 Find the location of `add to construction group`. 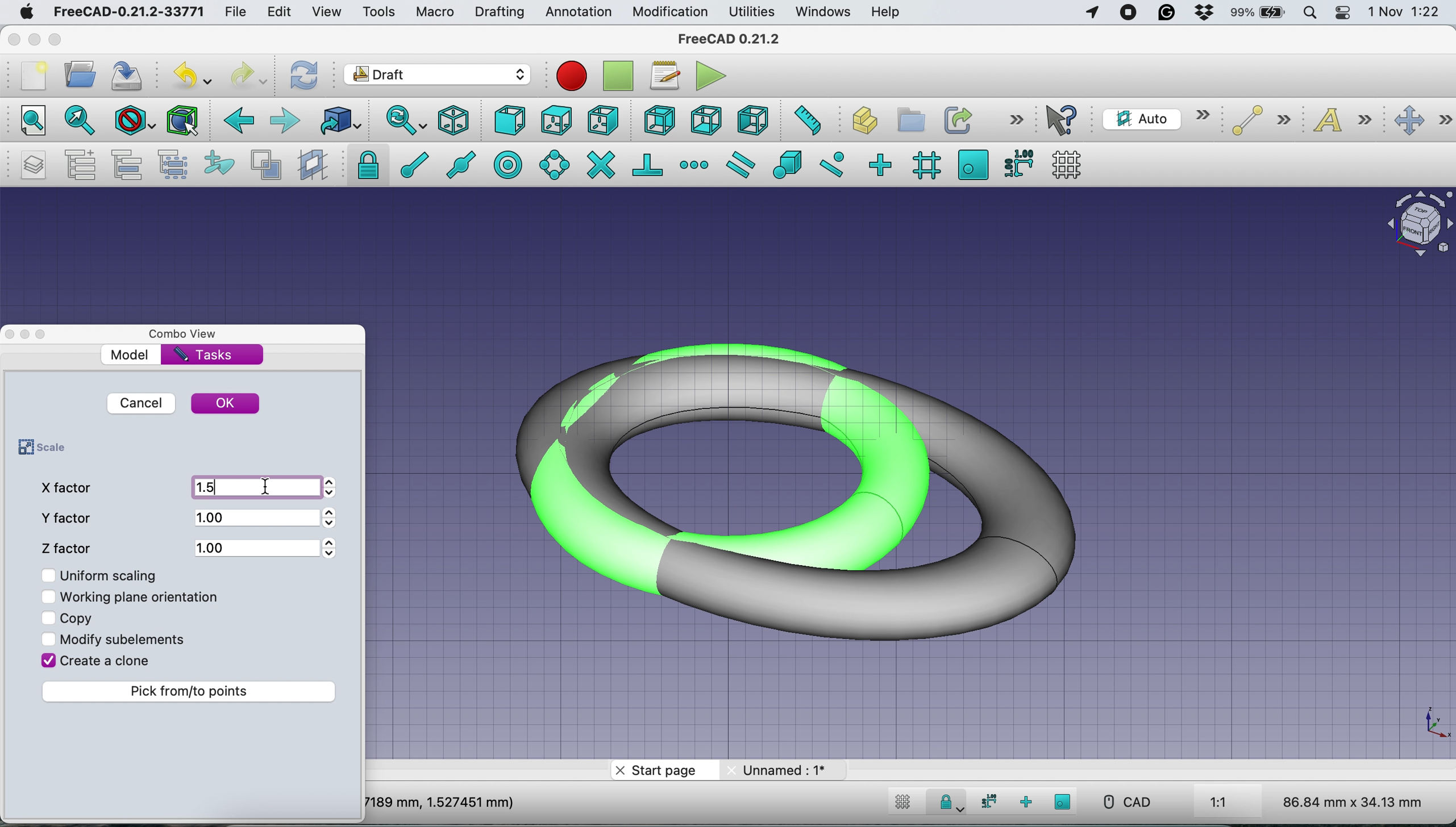

add to construction group is located at coordinates (215, 165).